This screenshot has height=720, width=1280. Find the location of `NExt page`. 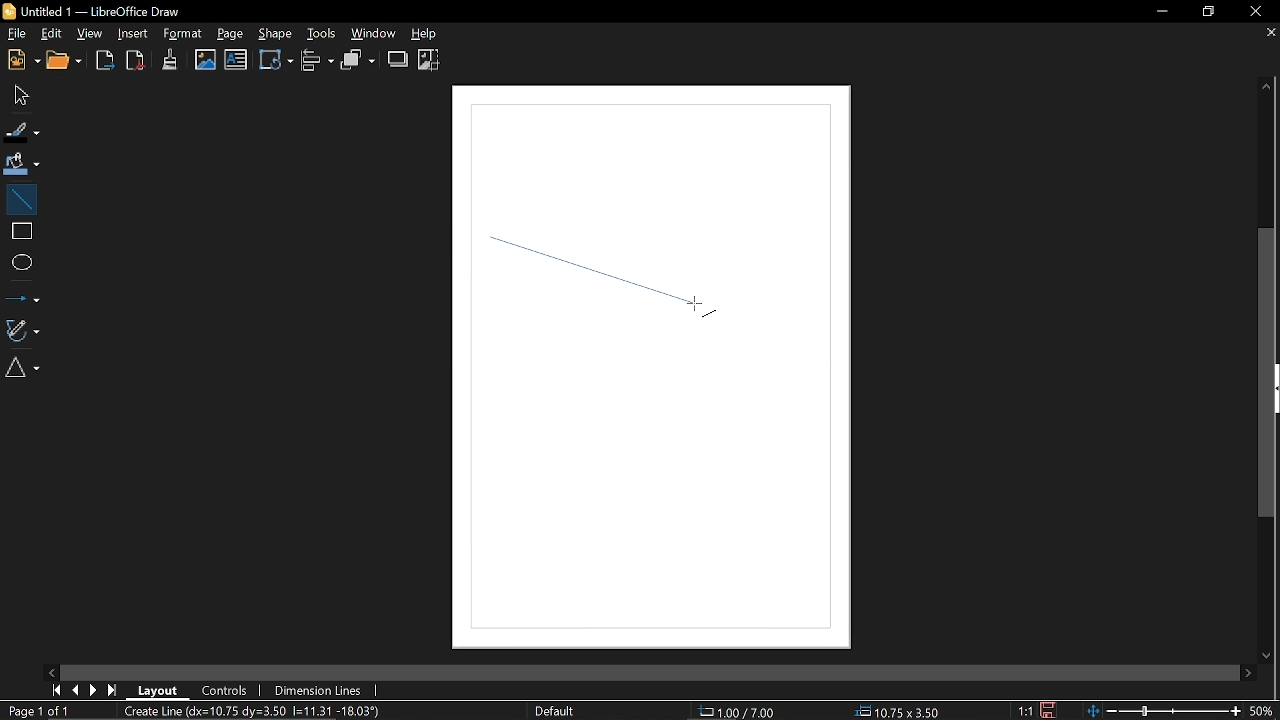

NExt page is located at coordinates (95, 690).